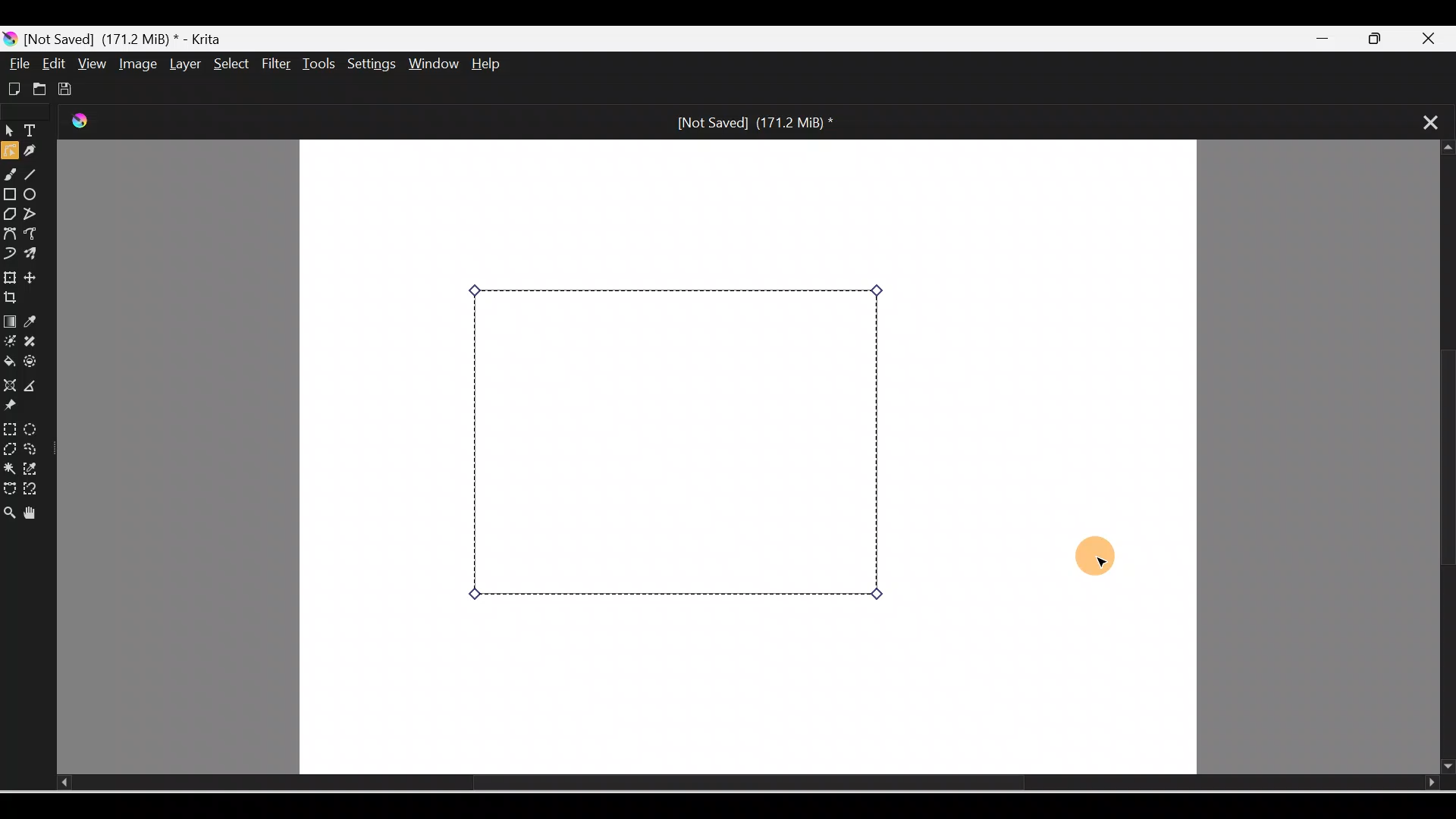 The height and width of the screenshot is (819, 1456). I want to click on Edit, so click(55, 64).